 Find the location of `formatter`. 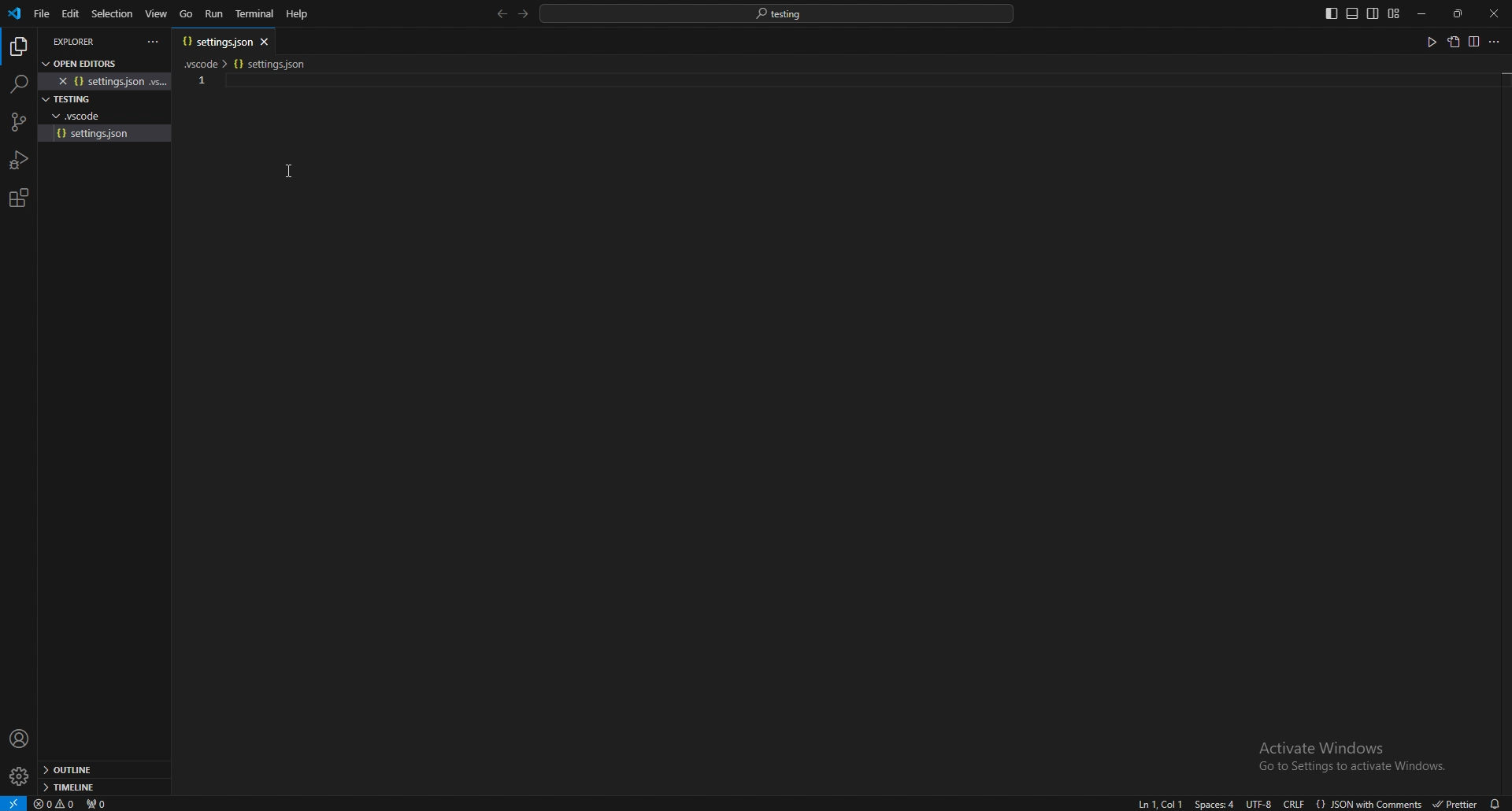

formatter is located at coordinates (1453, 804).